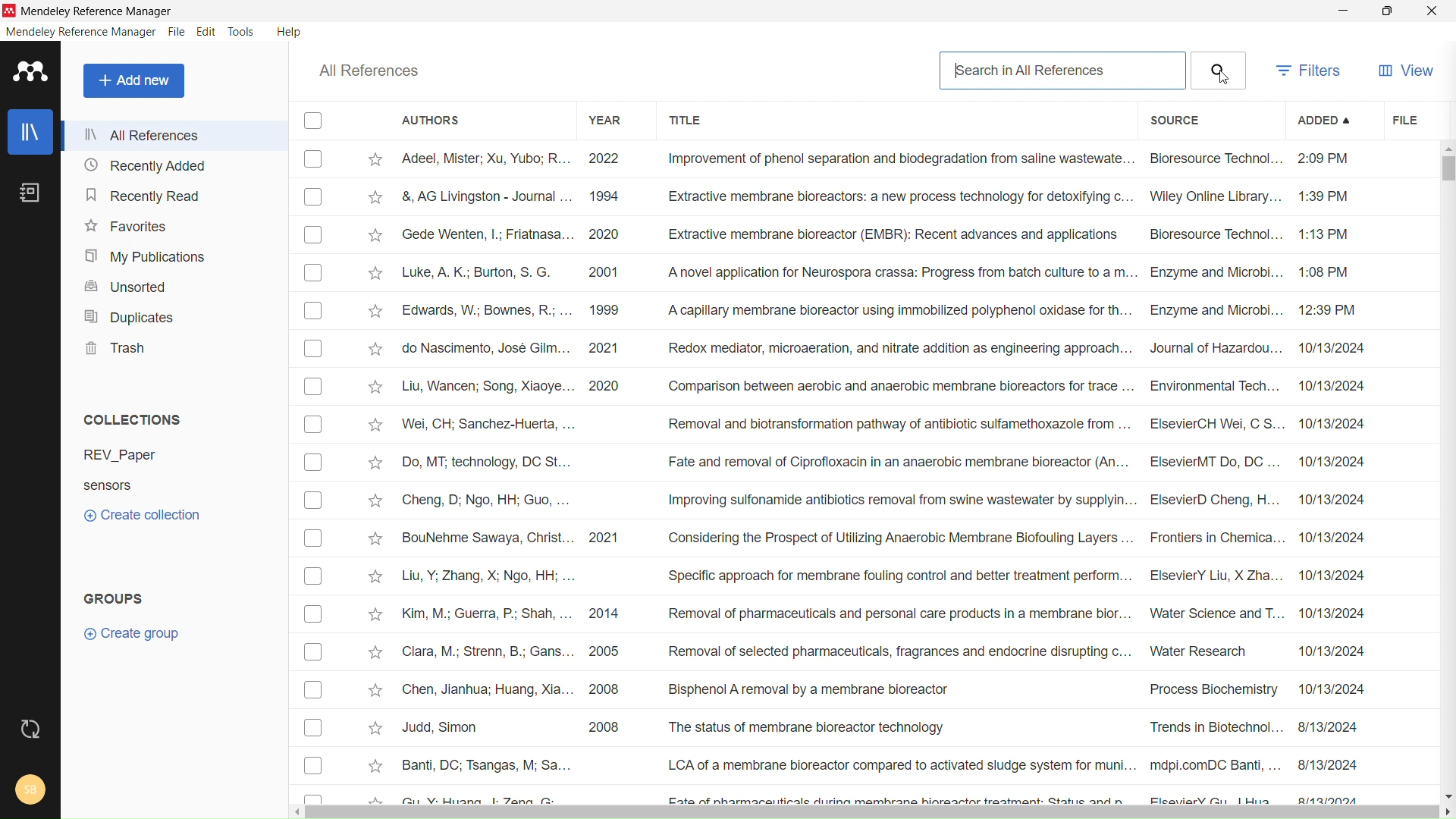 The width and height of the screenshot is (1456, 819). Describe the element at coordinates (311, 383) in the screenshot. I see `Checkbox` at that location.